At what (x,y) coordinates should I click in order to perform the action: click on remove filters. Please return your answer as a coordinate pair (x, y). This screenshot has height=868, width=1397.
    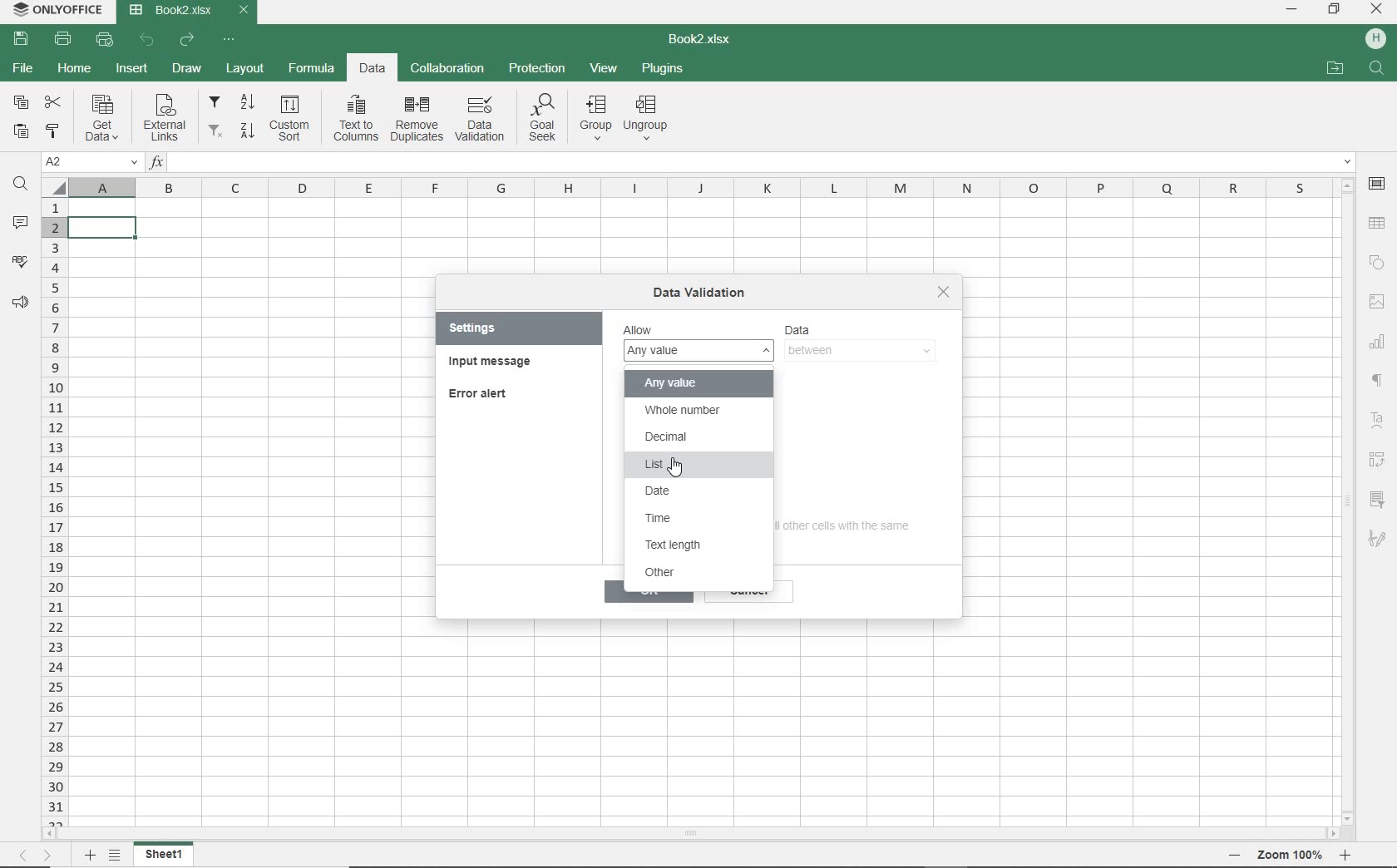
    Looking at the image, I should click on (217, 133).